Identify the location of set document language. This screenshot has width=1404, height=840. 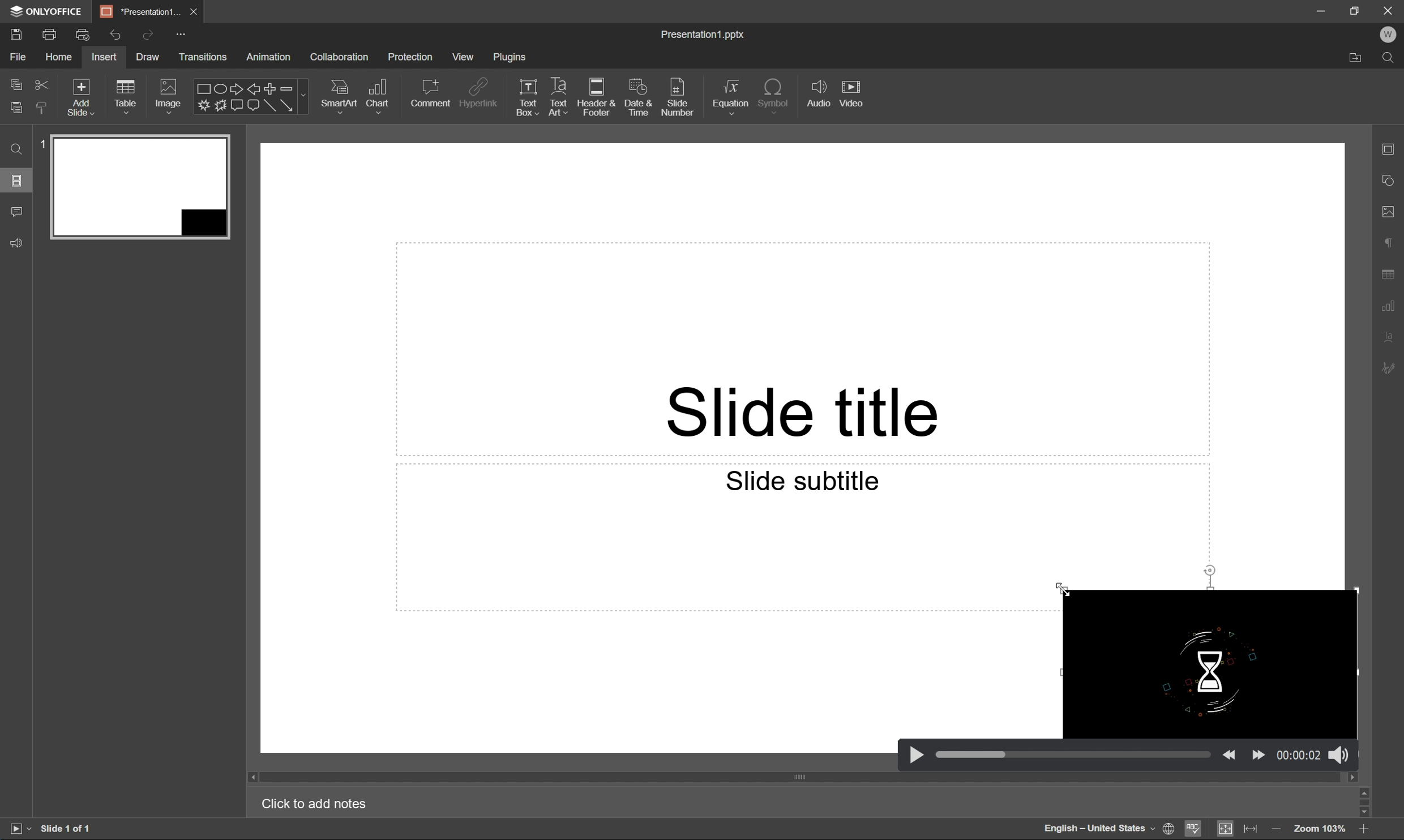
(1169, 828).